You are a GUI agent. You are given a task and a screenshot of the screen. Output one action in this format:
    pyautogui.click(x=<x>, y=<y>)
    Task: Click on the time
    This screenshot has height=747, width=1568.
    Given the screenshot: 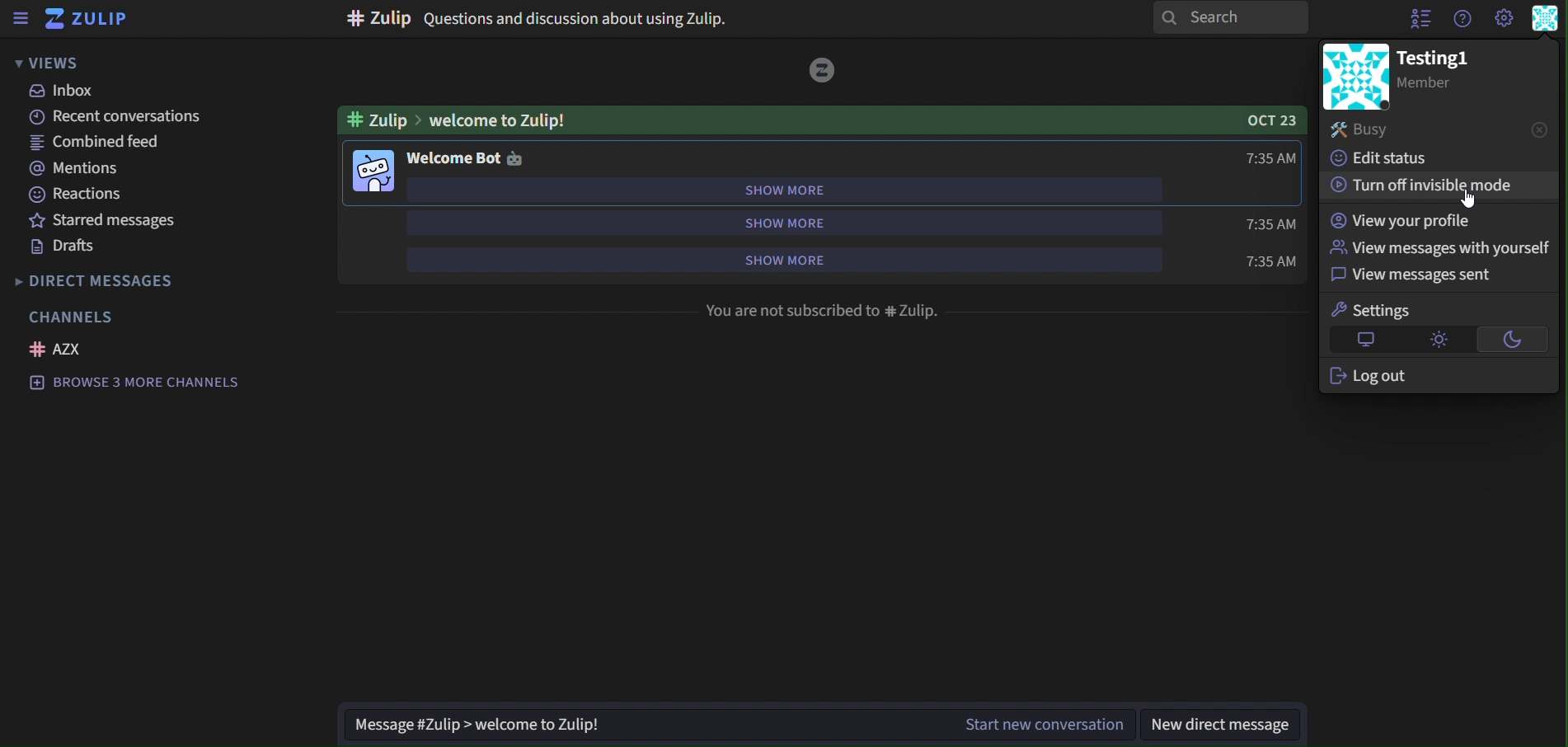 What is the action you would take?
    pyautogui.click(x=1265, y=223)
    